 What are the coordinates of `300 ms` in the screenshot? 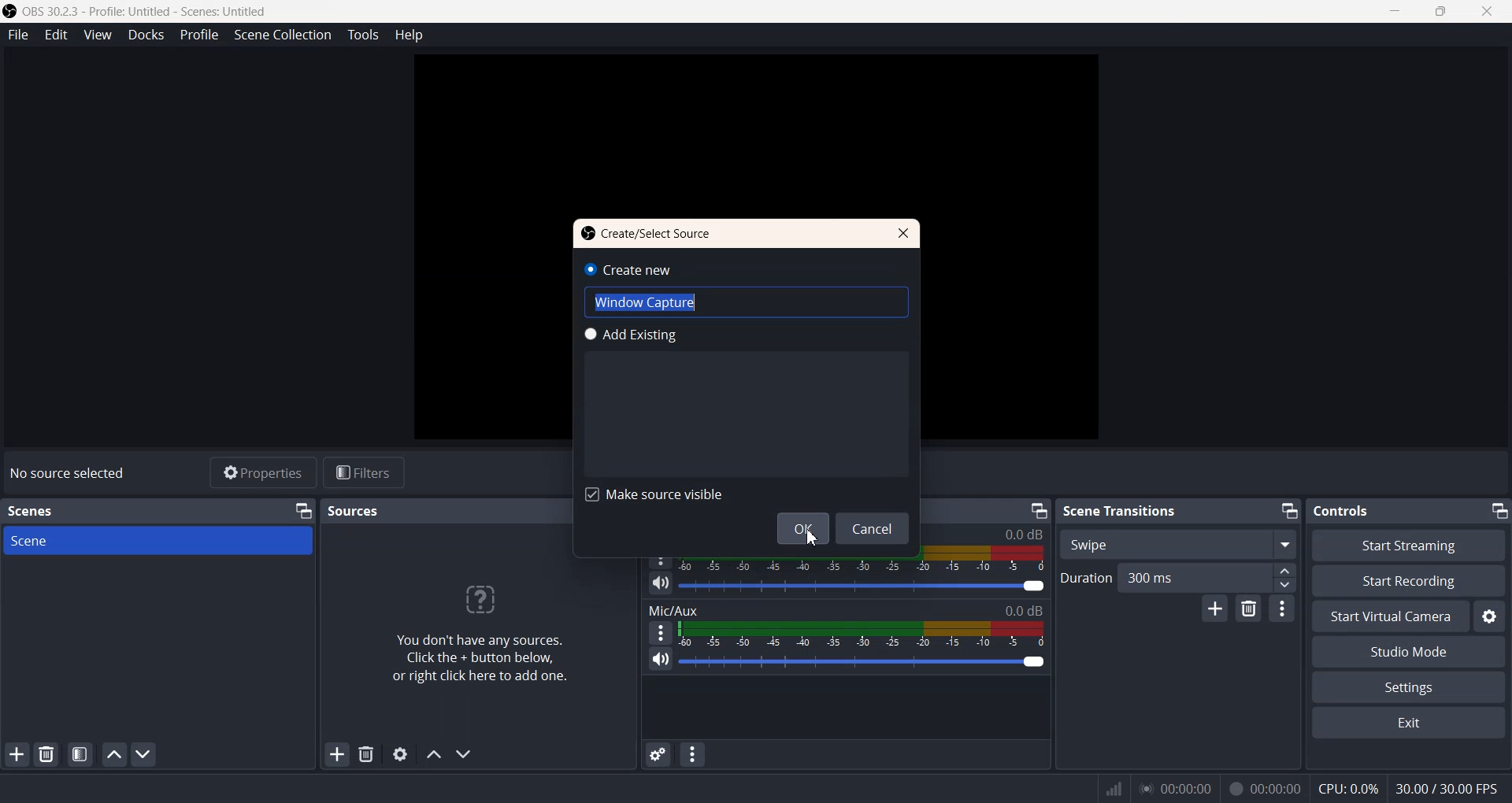 It's located at (1210, 576).